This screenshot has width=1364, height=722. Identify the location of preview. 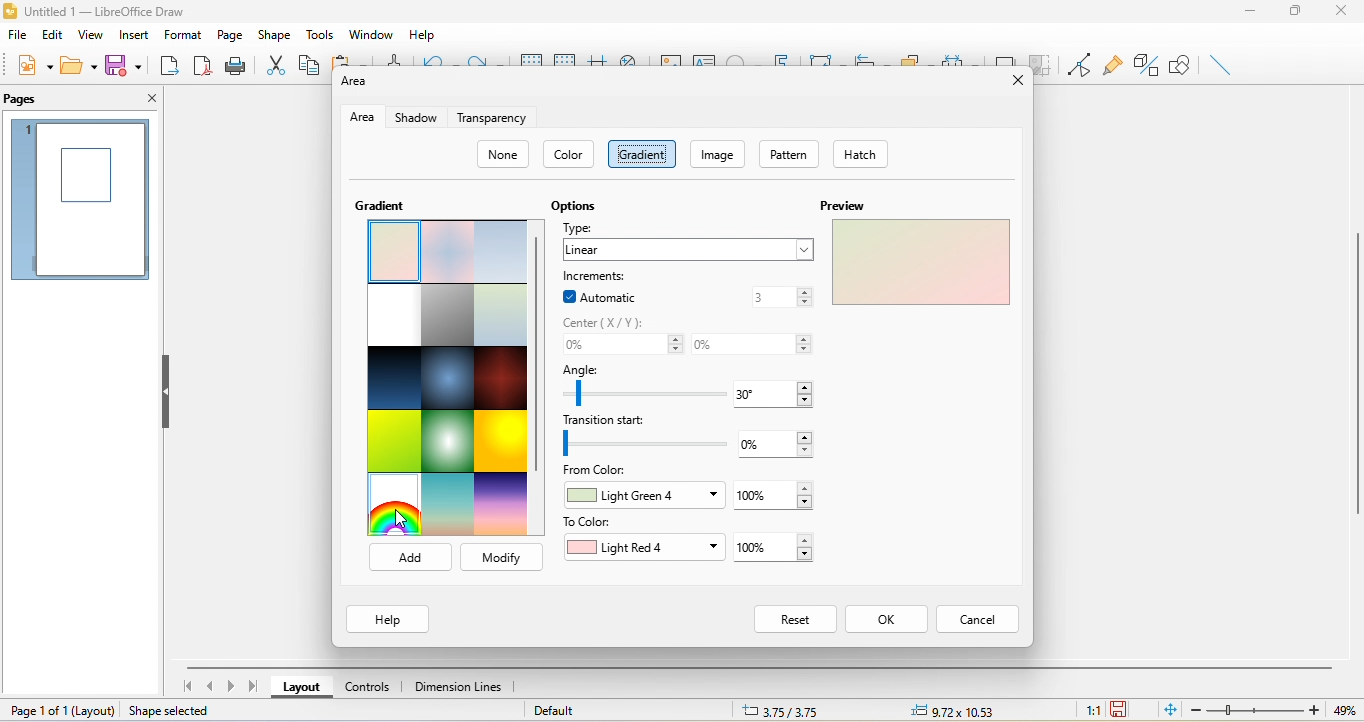
(919, 252).